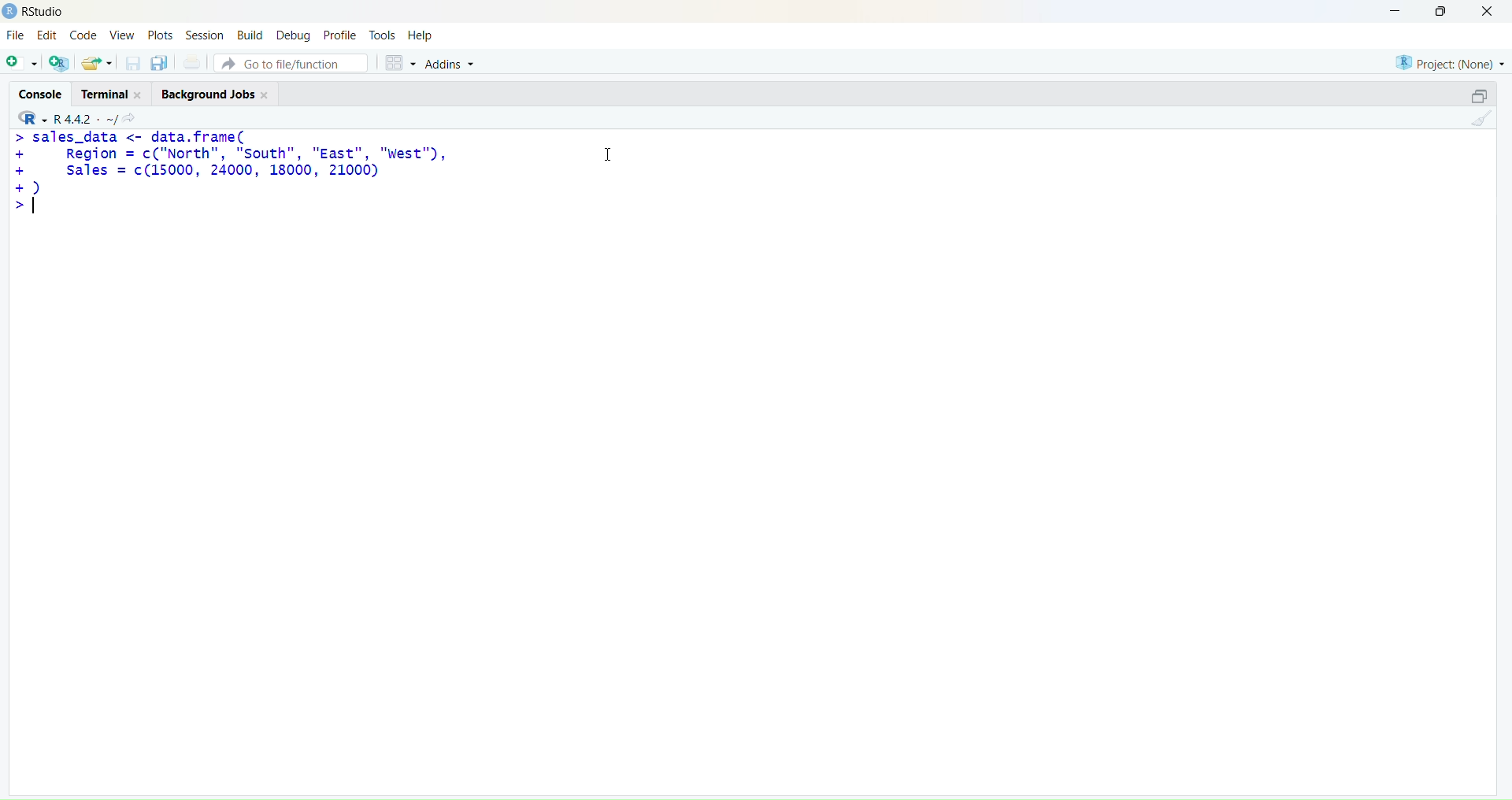  Describe the element at coordinates (96, 64) in the screenshot. I see `save and export` at that location.